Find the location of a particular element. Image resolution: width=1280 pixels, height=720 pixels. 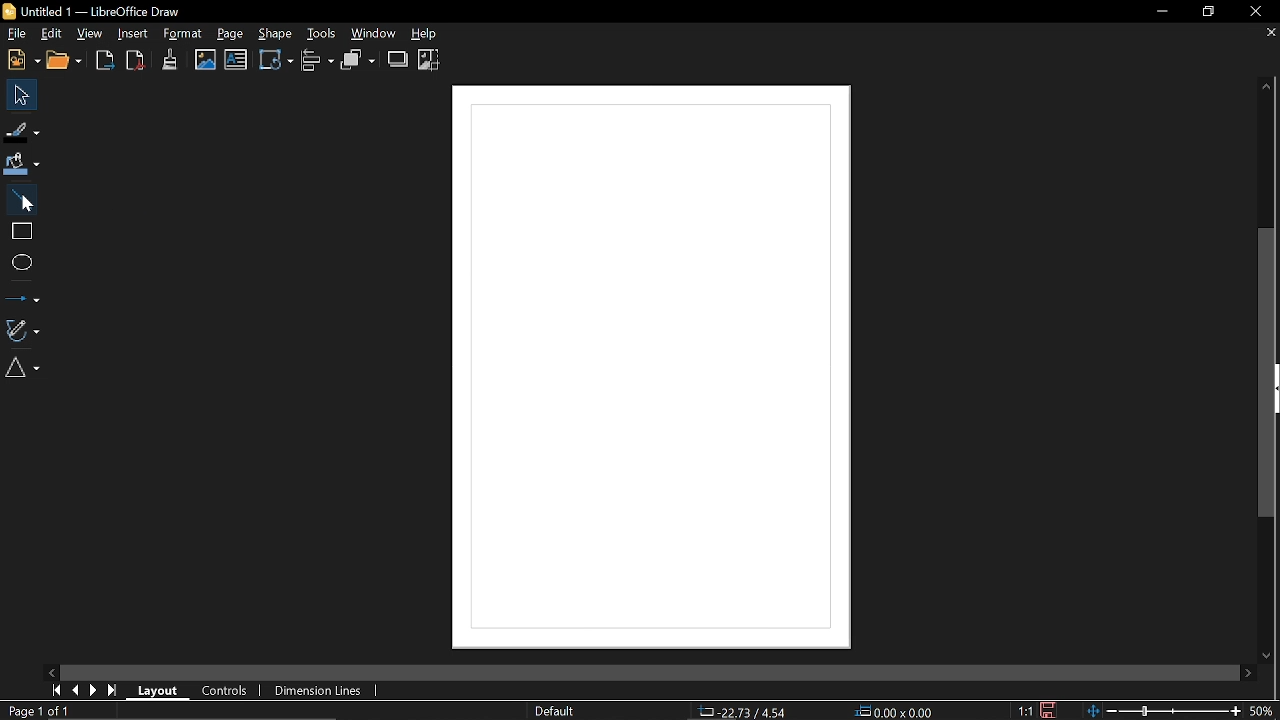

Window is located at coordinates (377, 34).